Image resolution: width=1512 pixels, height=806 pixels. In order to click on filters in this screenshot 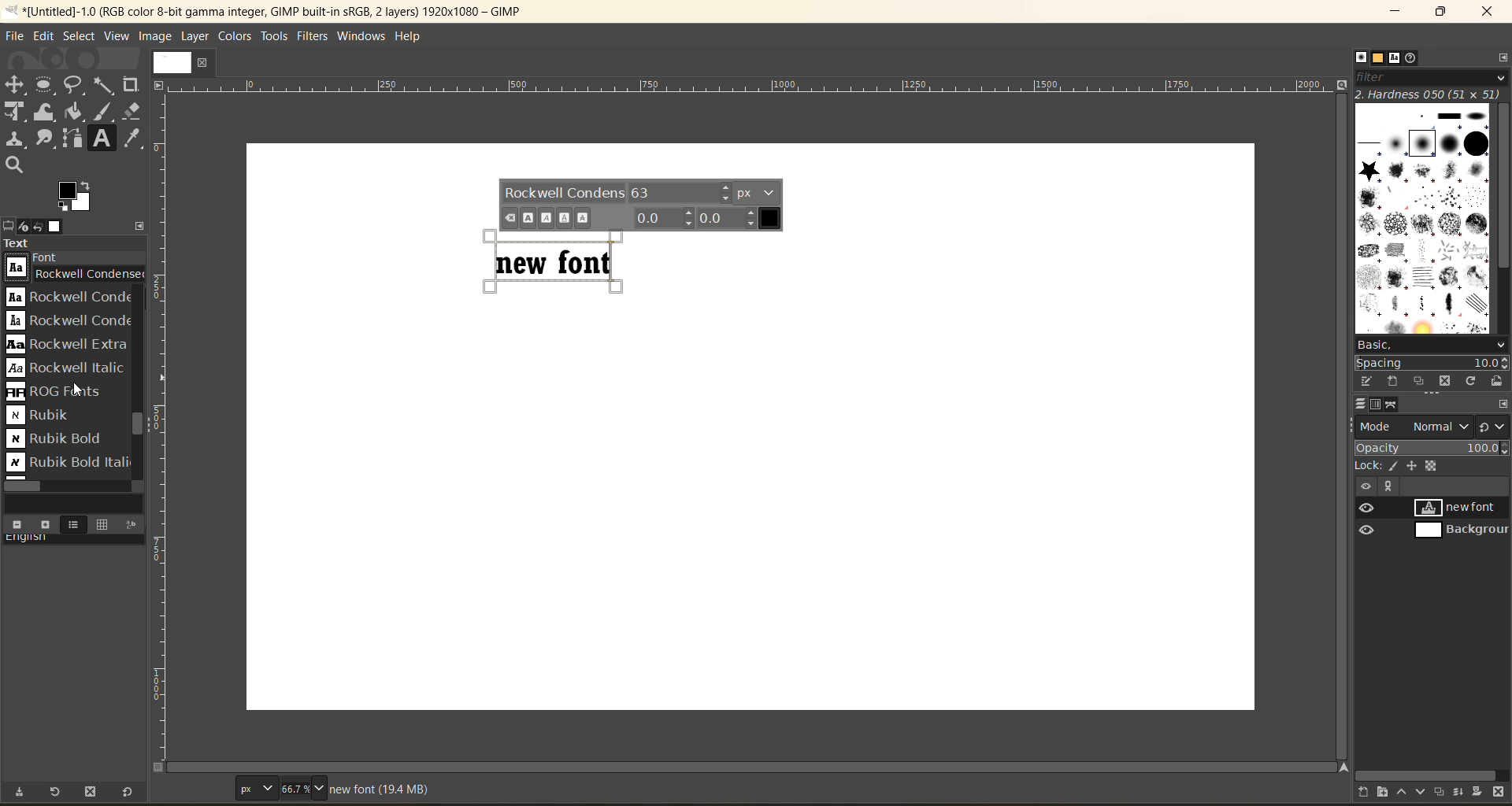, I will do `click(317, 37)`.